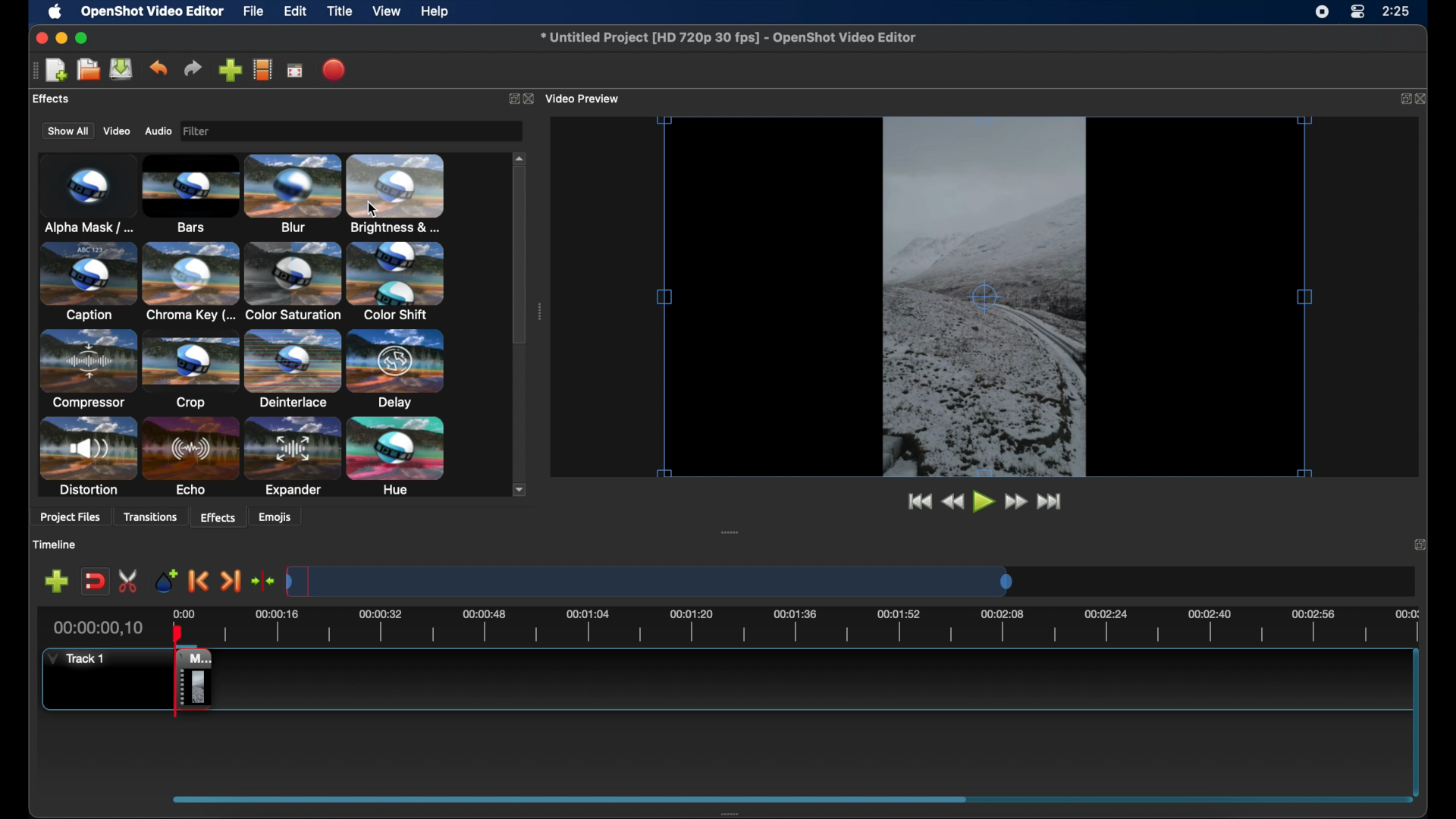  I want to click on deinterlace, so click(293, 369).